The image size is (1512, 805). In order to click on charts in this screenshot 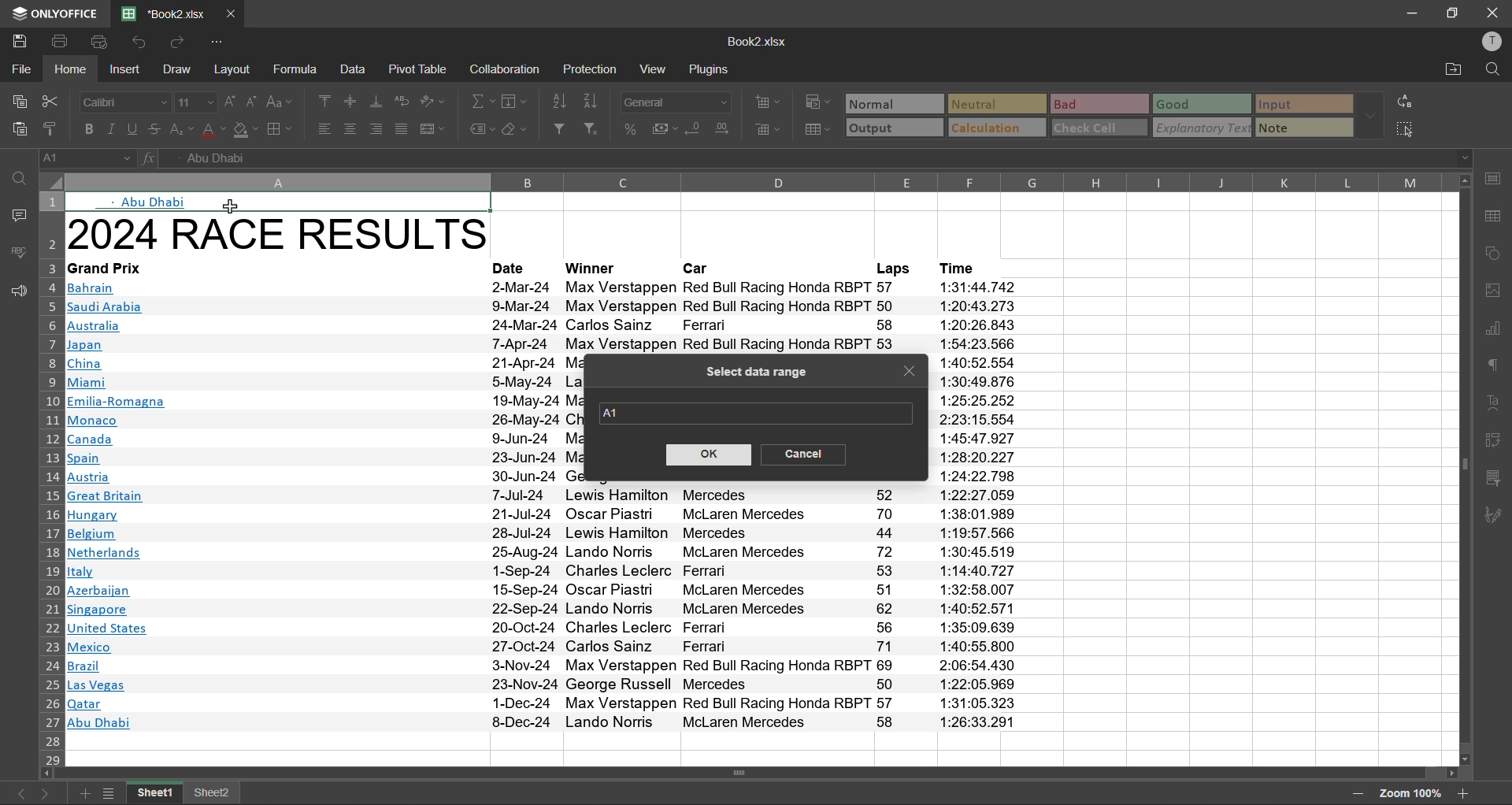, I will do `click(1492, 329)`.